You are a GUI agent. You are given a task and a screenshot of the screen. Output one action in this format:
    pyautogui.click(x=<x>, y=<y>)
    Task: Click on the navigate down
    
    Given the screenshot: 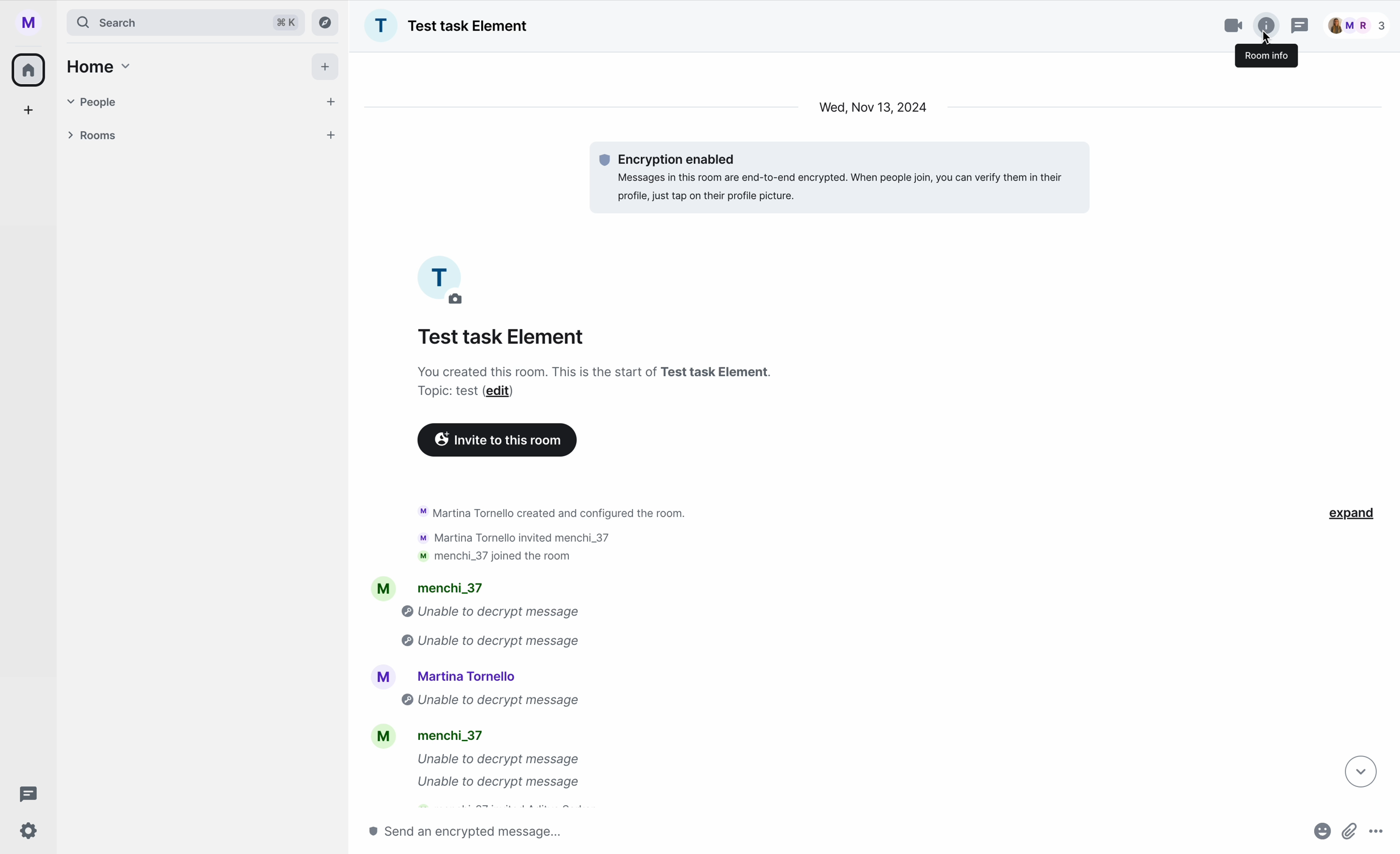 What is the action you would take?
    pyautogui.click(x=1363, y=770)
    